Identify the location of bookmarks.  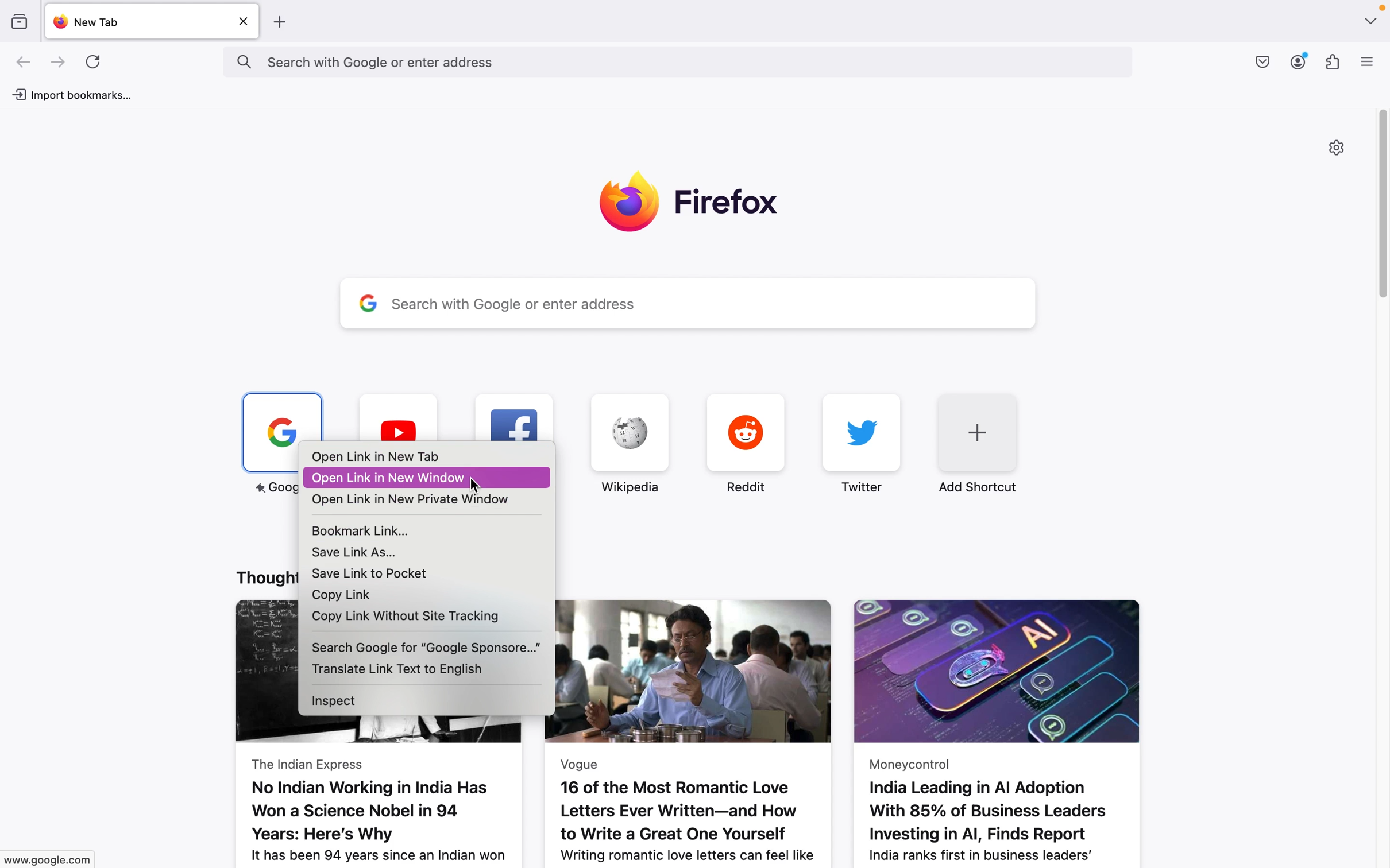
(22, 21).